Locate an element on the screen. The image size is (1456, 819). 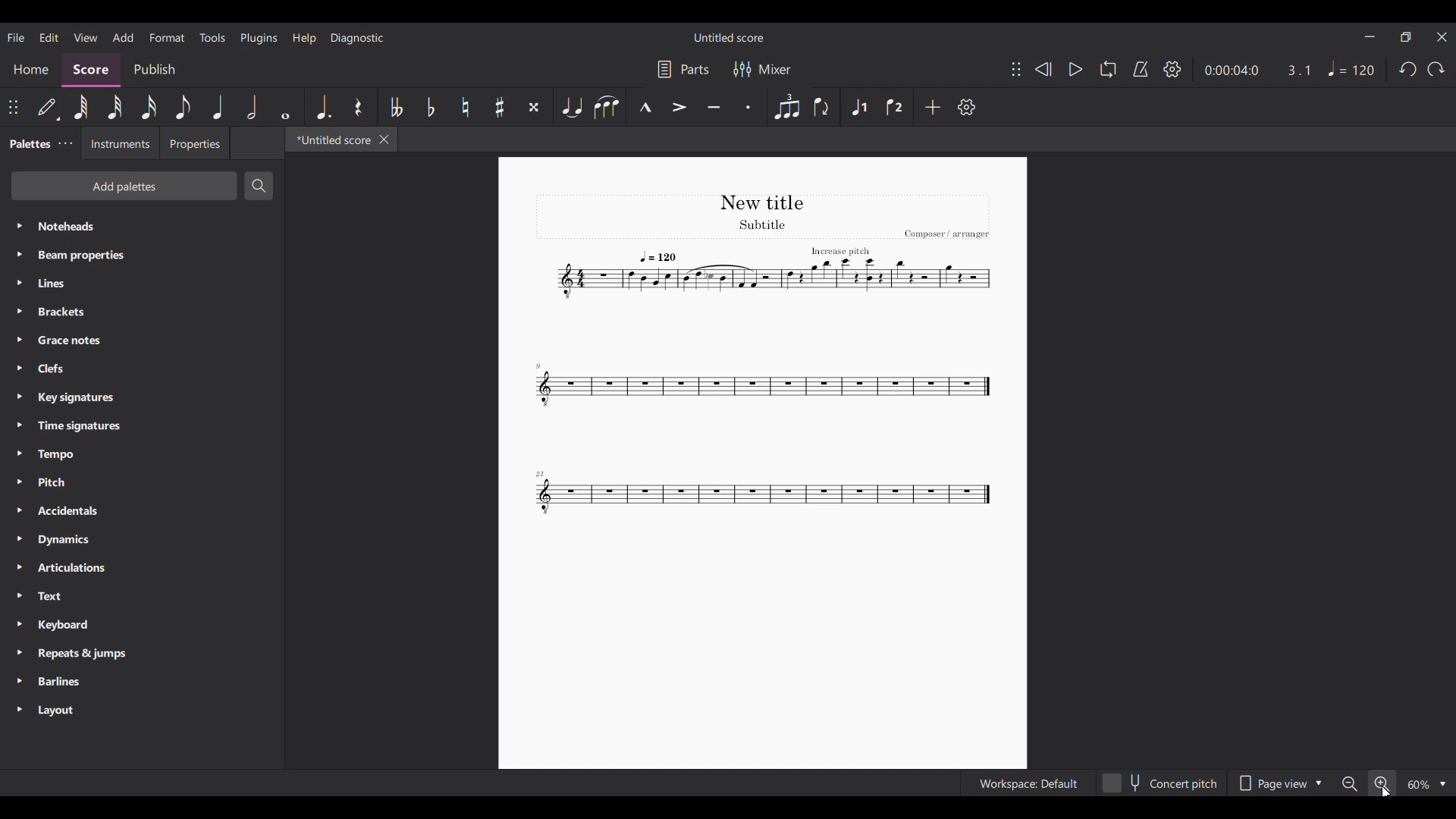
Flip direction is located at coordinates (823, 107).